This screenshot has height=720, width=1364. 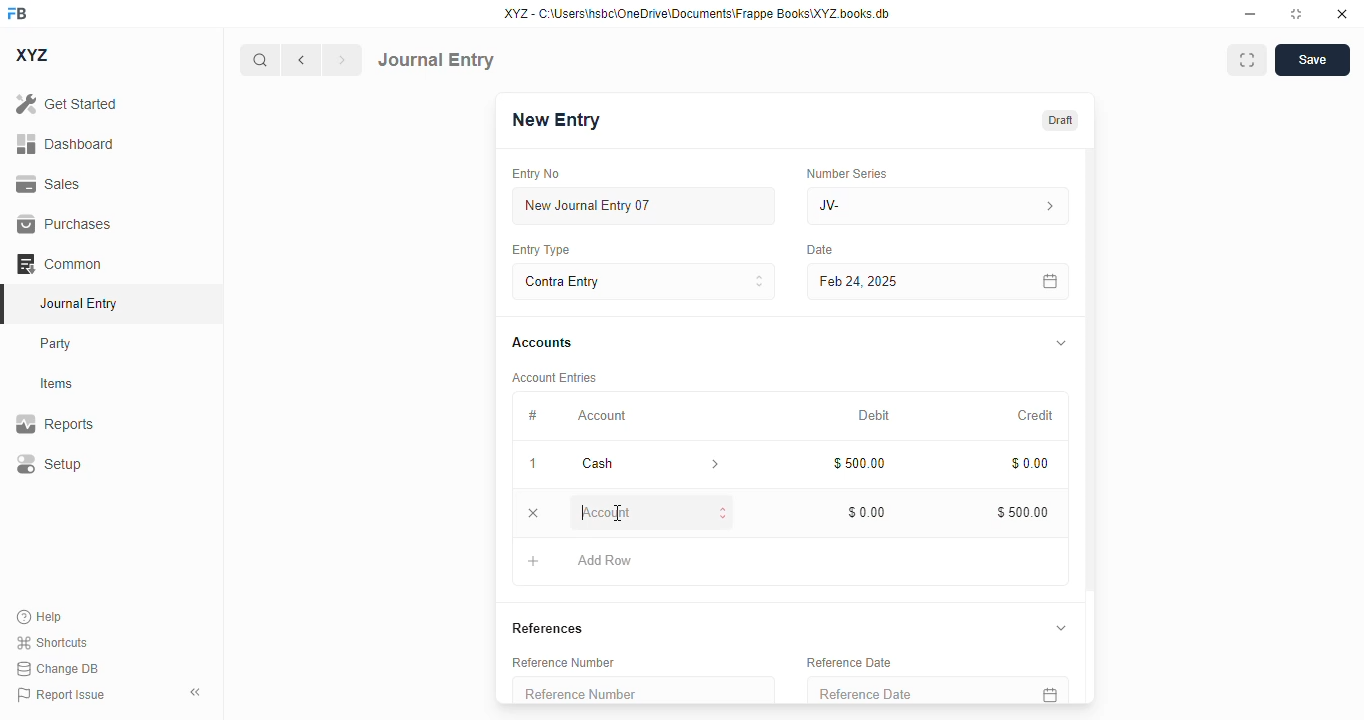 I want to click on FB - logo, so click(x=17, y=13).